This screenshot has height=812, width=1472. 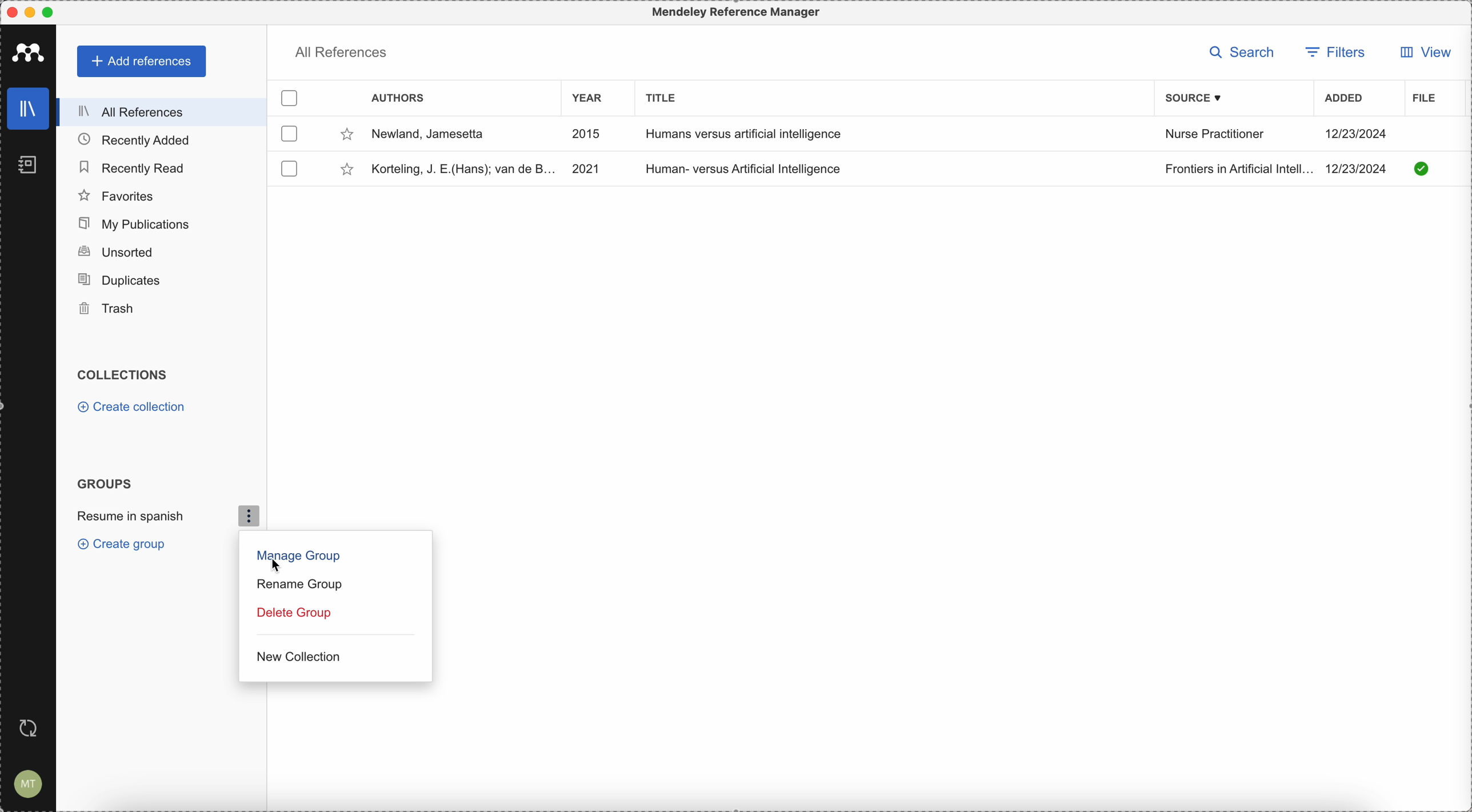 What do you see at coordinates (27, 109) in the screenshot?
I see `library` at bounding box center [27, 109].